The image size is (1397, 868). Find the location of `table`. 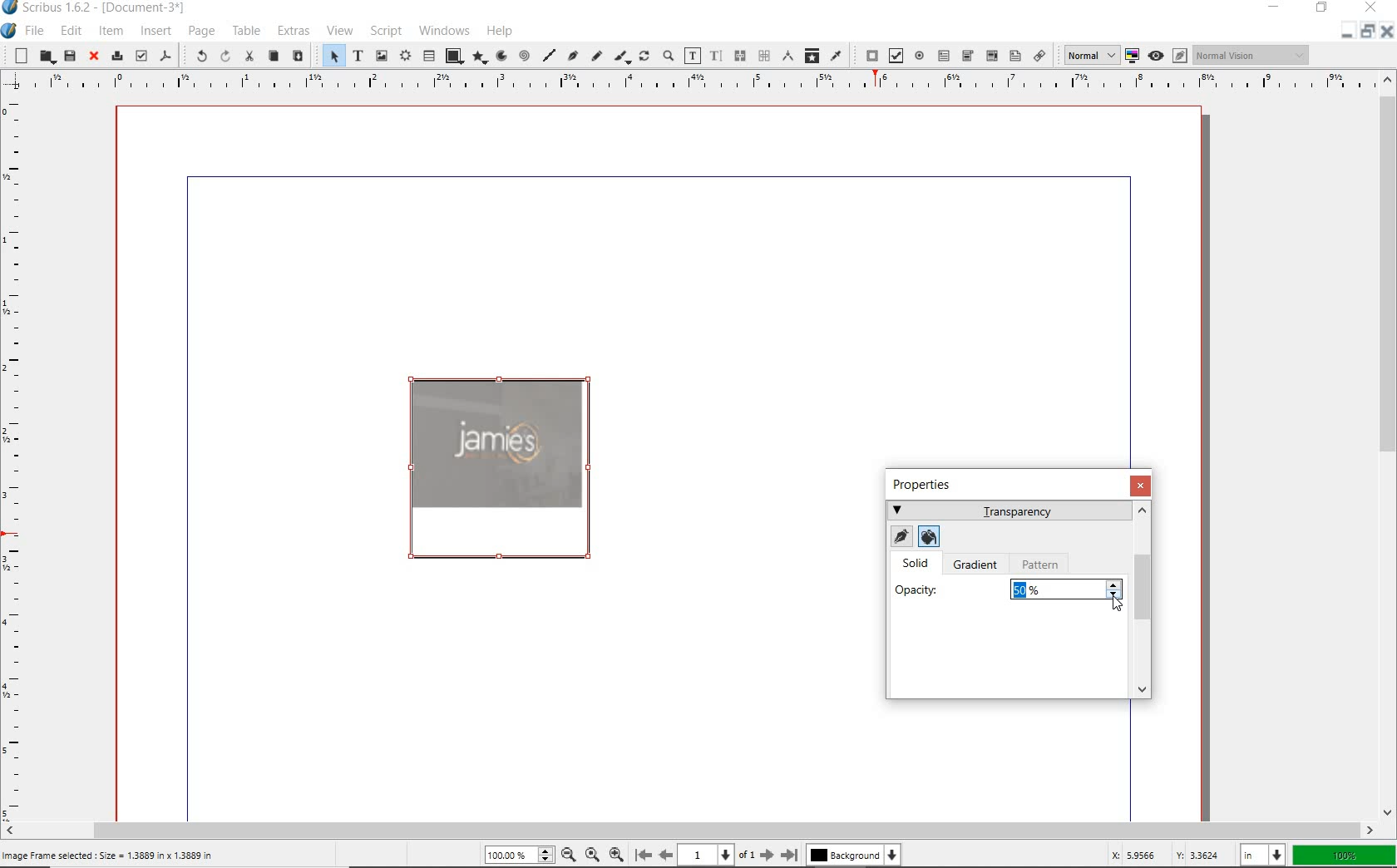

table is located at coordinates (427, 56).